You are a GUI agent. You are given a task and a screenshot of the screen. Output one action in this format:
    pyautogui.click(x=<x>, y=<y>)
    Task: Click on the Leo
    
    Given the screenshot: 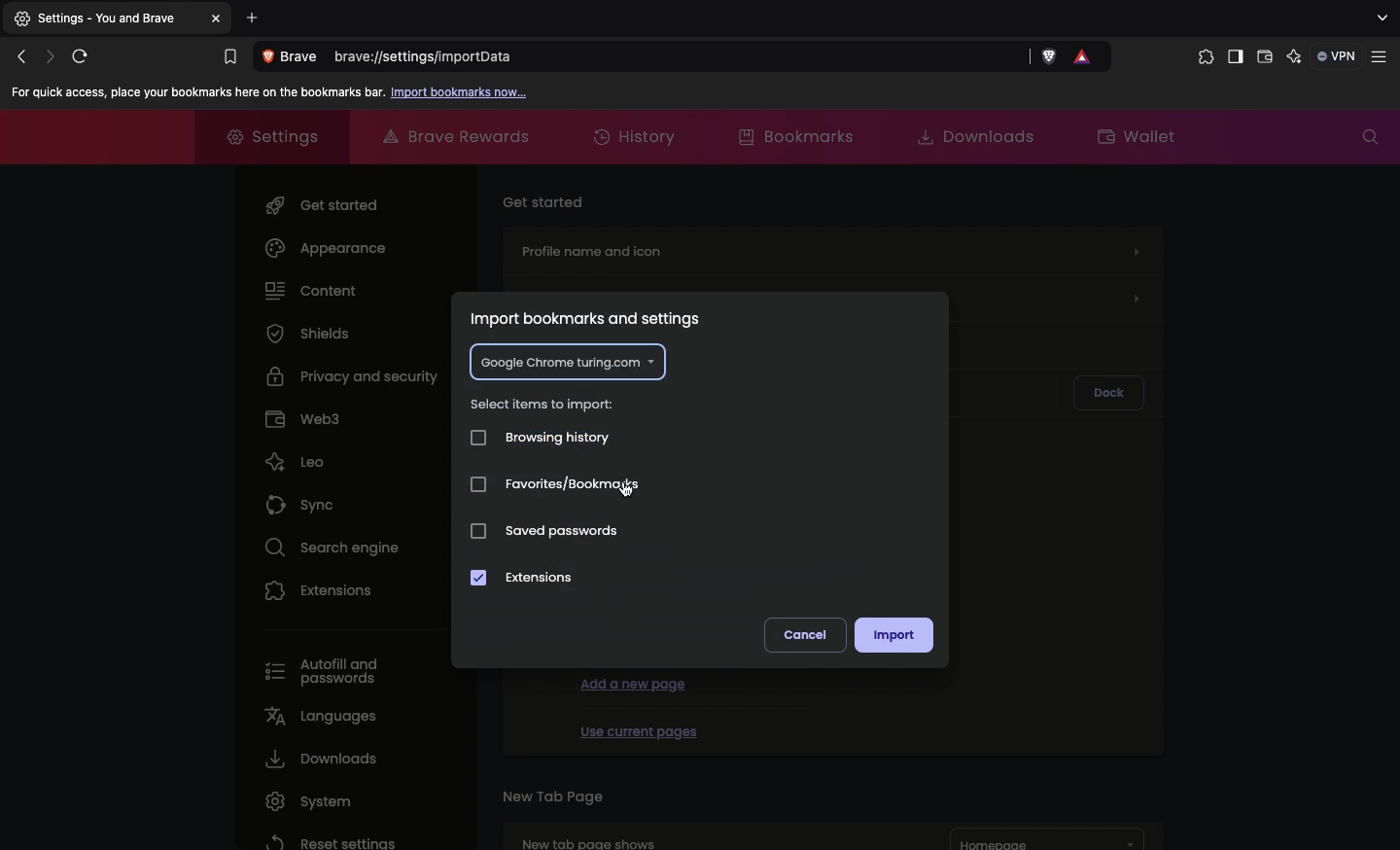 What is the action you would take?
    pyautogui.click(x=295, y=457)
    